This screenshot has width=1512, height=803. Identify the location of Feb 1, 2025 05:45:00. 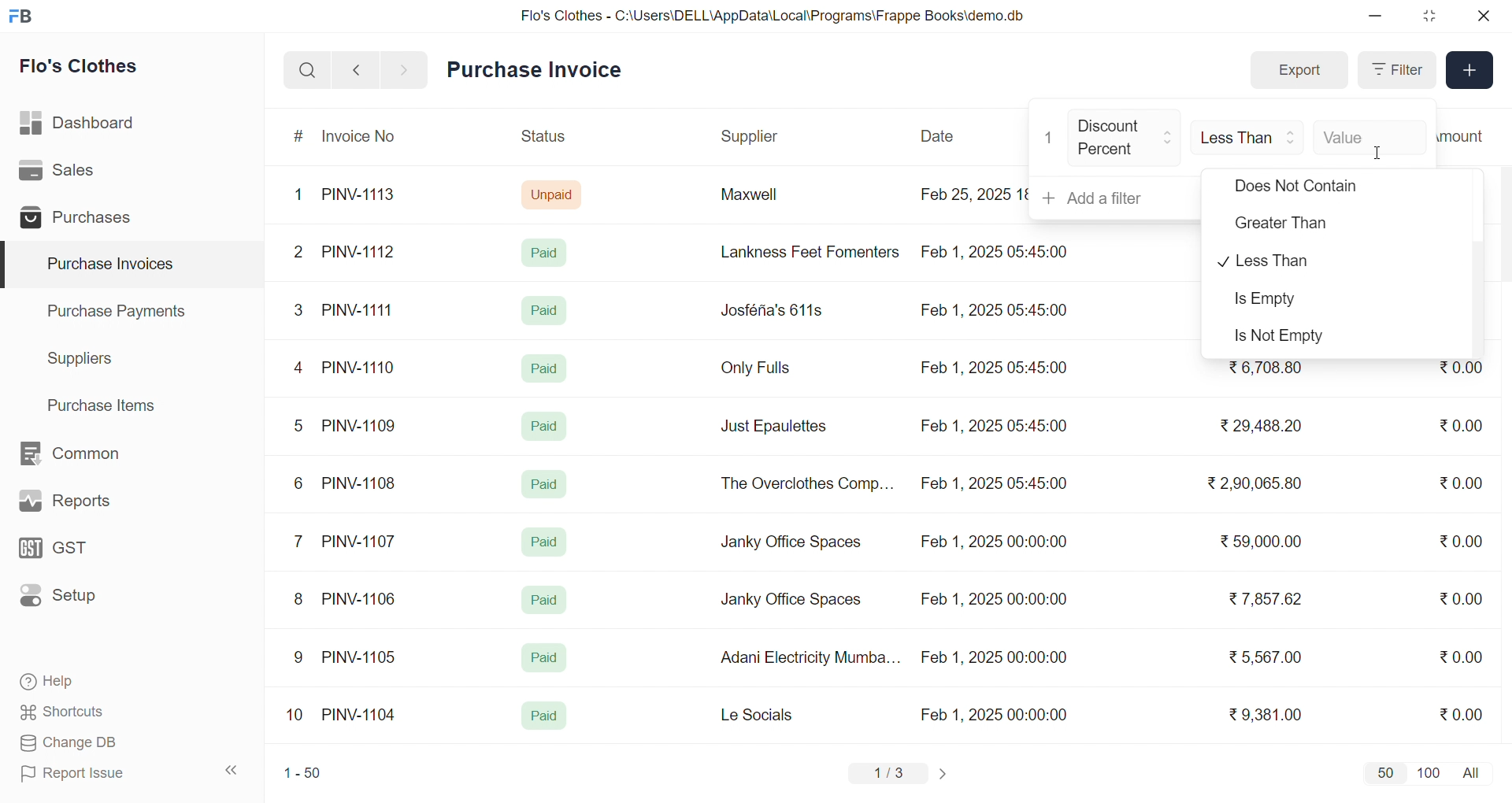
(992, 312).